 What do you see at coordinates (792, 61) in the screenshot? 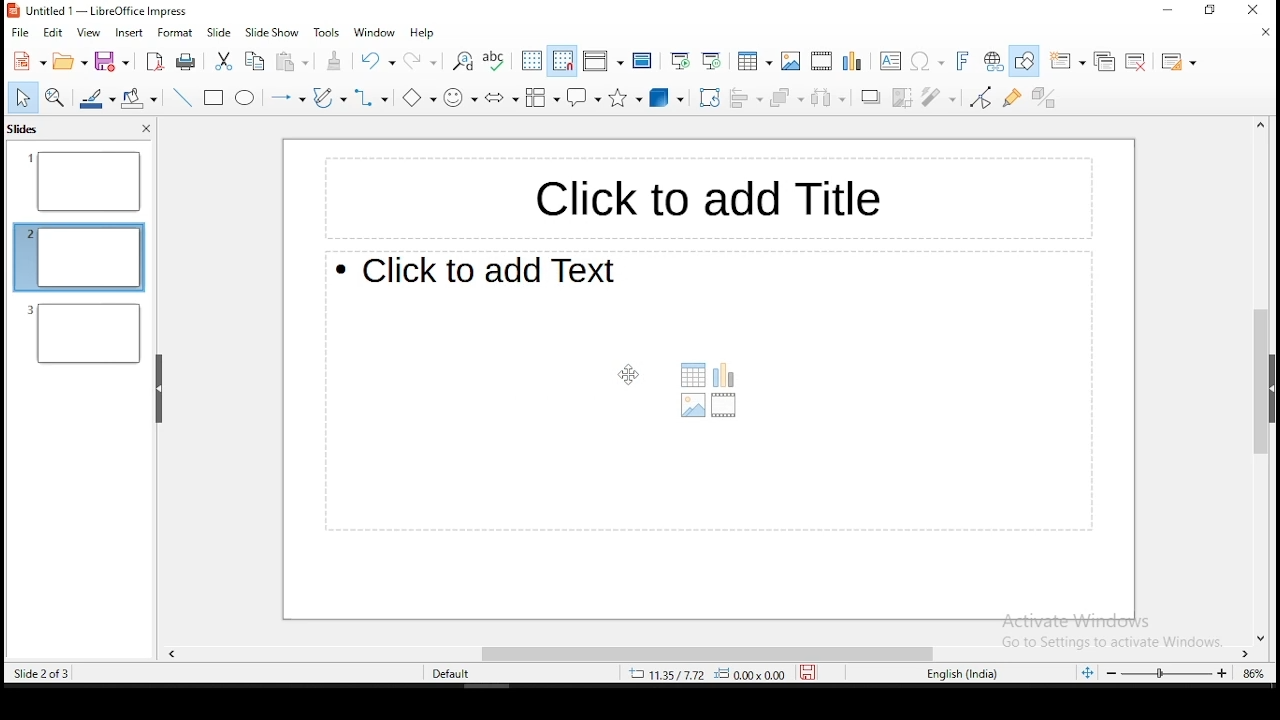
I see `insert image` at bounding box center [792, 61].